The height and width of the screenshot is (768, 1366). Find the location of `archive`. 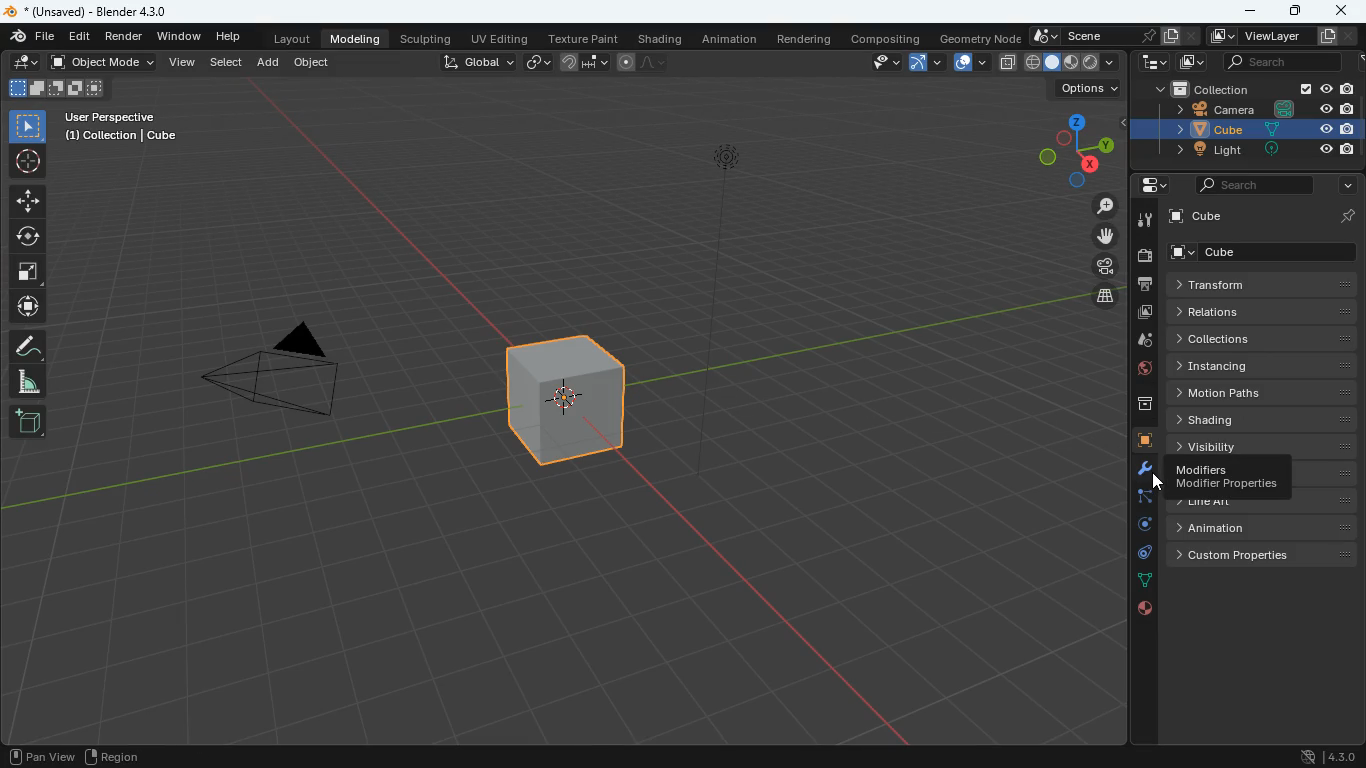

archive is located at coordinates (1135, 408).